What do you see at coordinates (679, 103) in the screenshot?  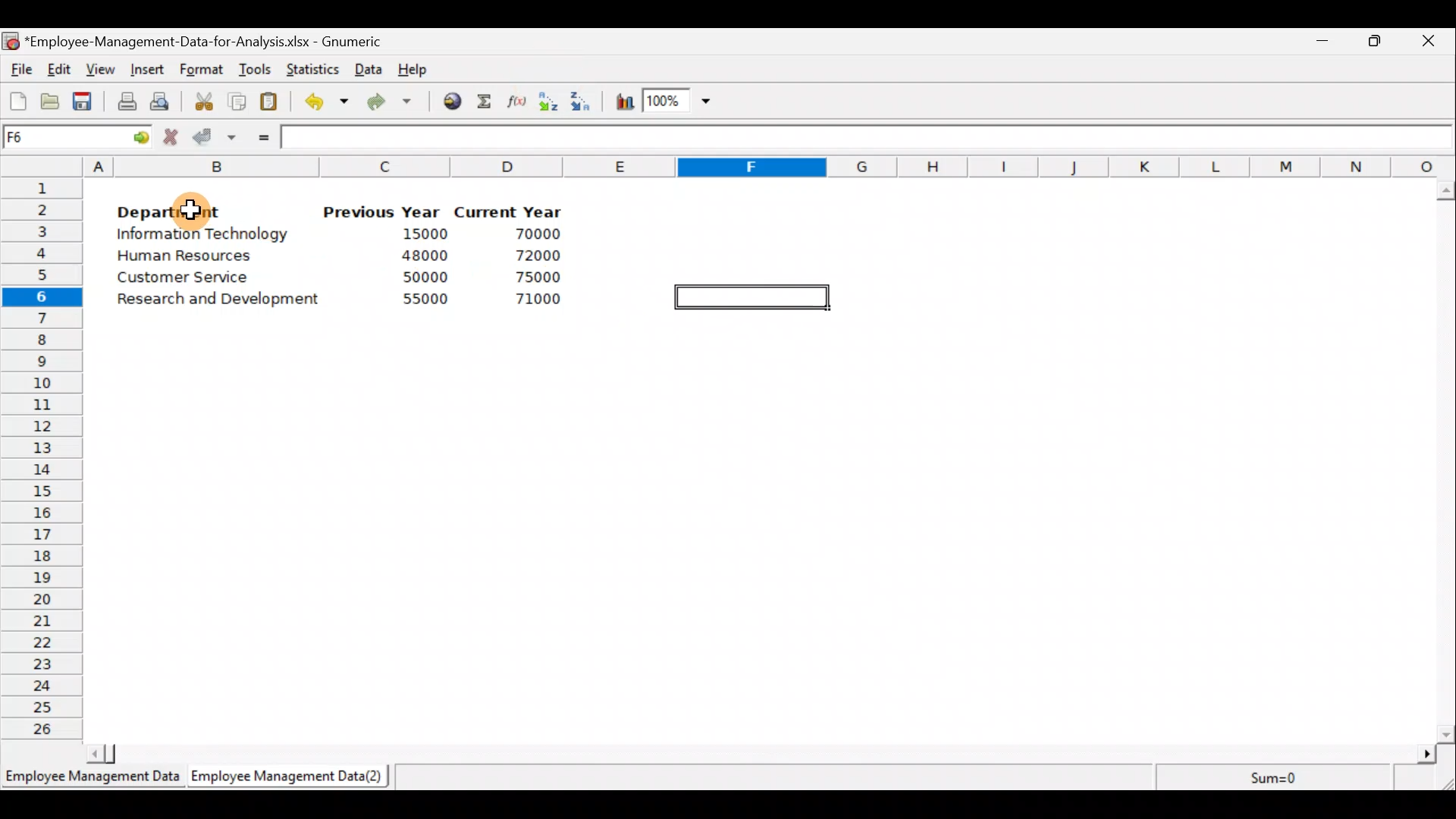 I see `Zoom` at bounding box center [679, 103].